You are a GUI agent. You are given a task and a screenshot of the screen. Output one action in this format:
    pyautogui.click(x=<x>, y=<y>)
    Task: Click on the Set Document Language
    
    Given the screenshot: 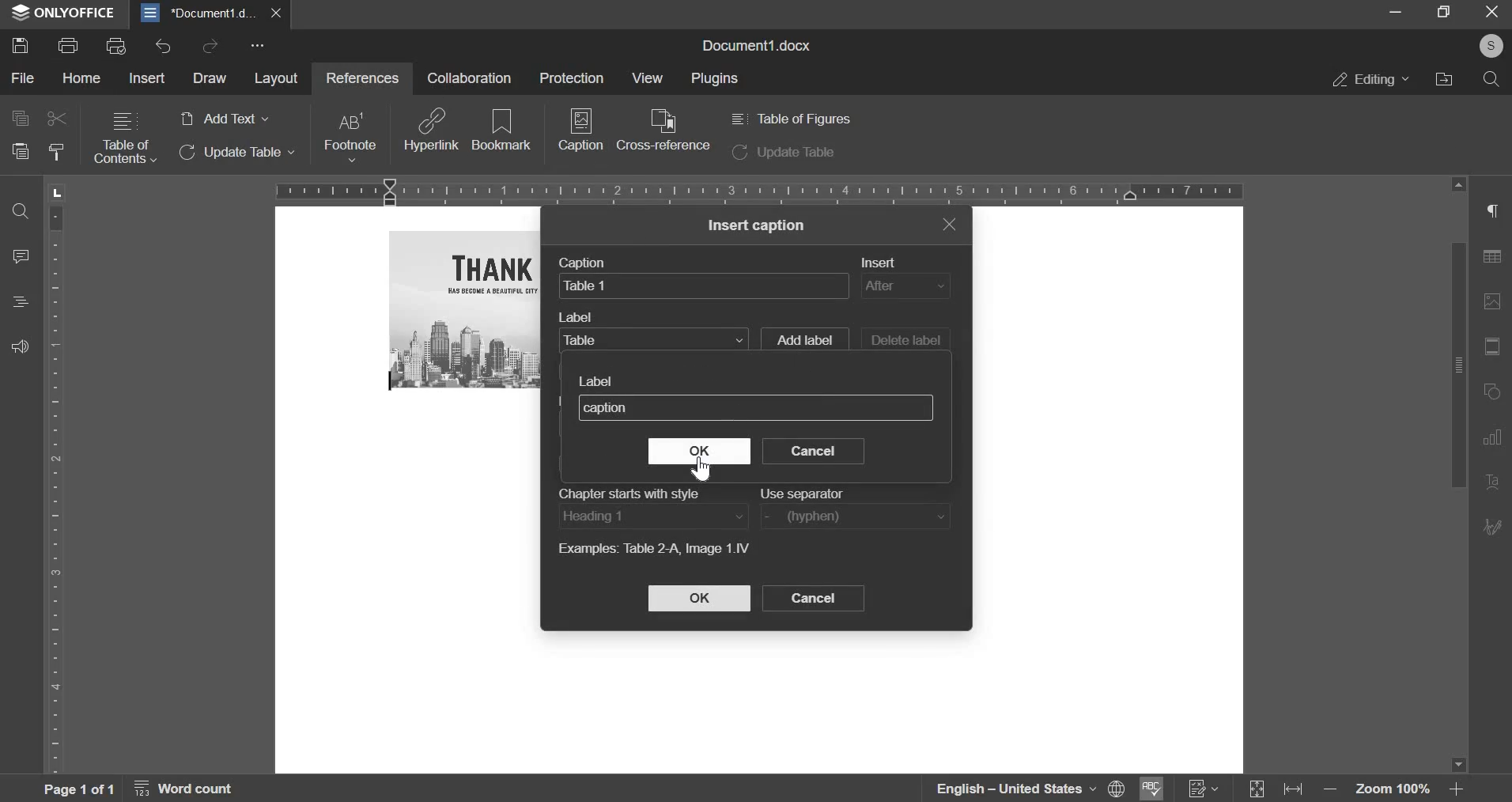 What is the action you would take?
    pyautogui.click(x=1117, y=788)
    